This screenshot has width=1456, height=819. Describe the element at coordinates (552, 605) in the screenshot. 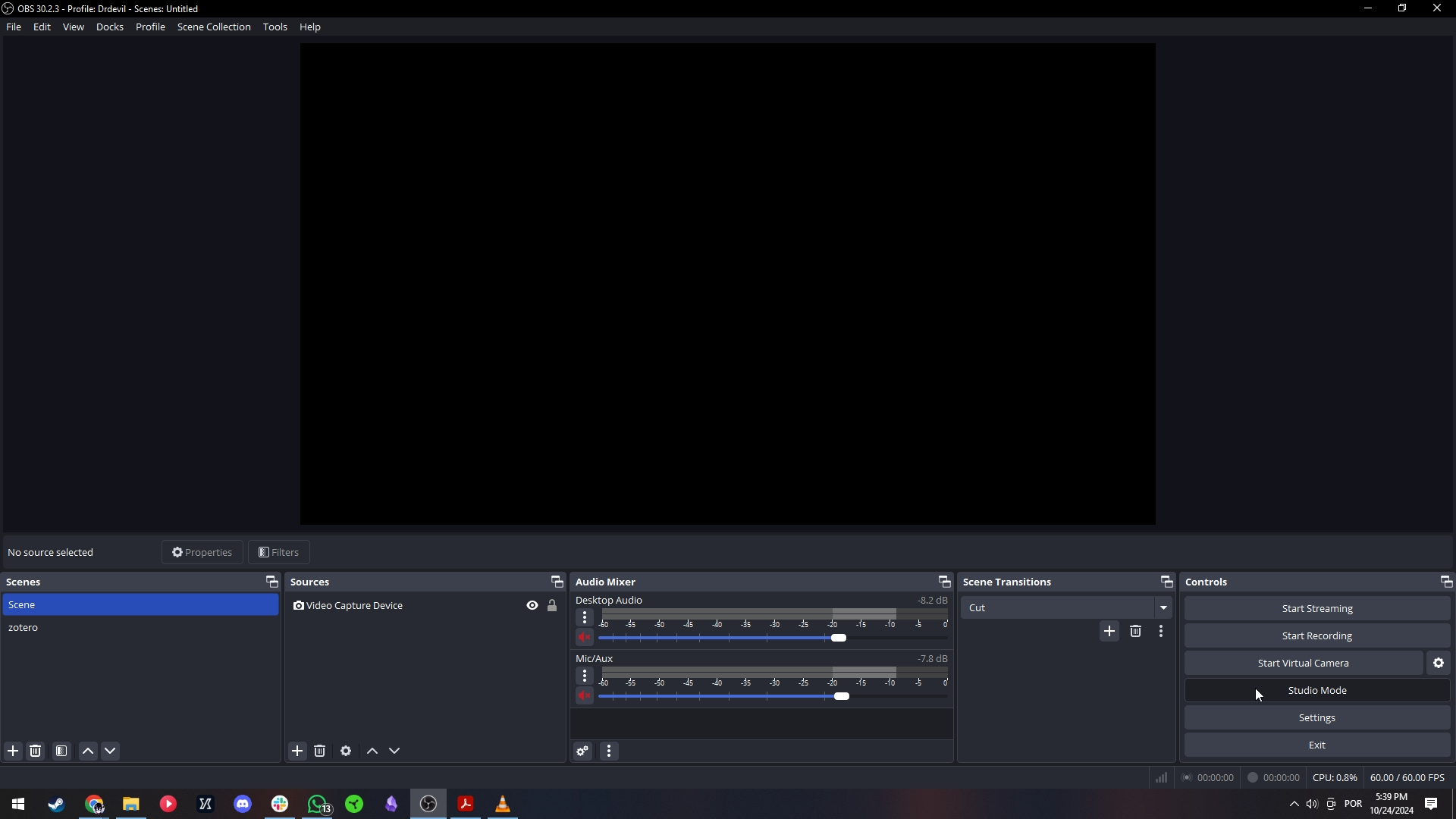

I see `Source 1 lock` at that location.